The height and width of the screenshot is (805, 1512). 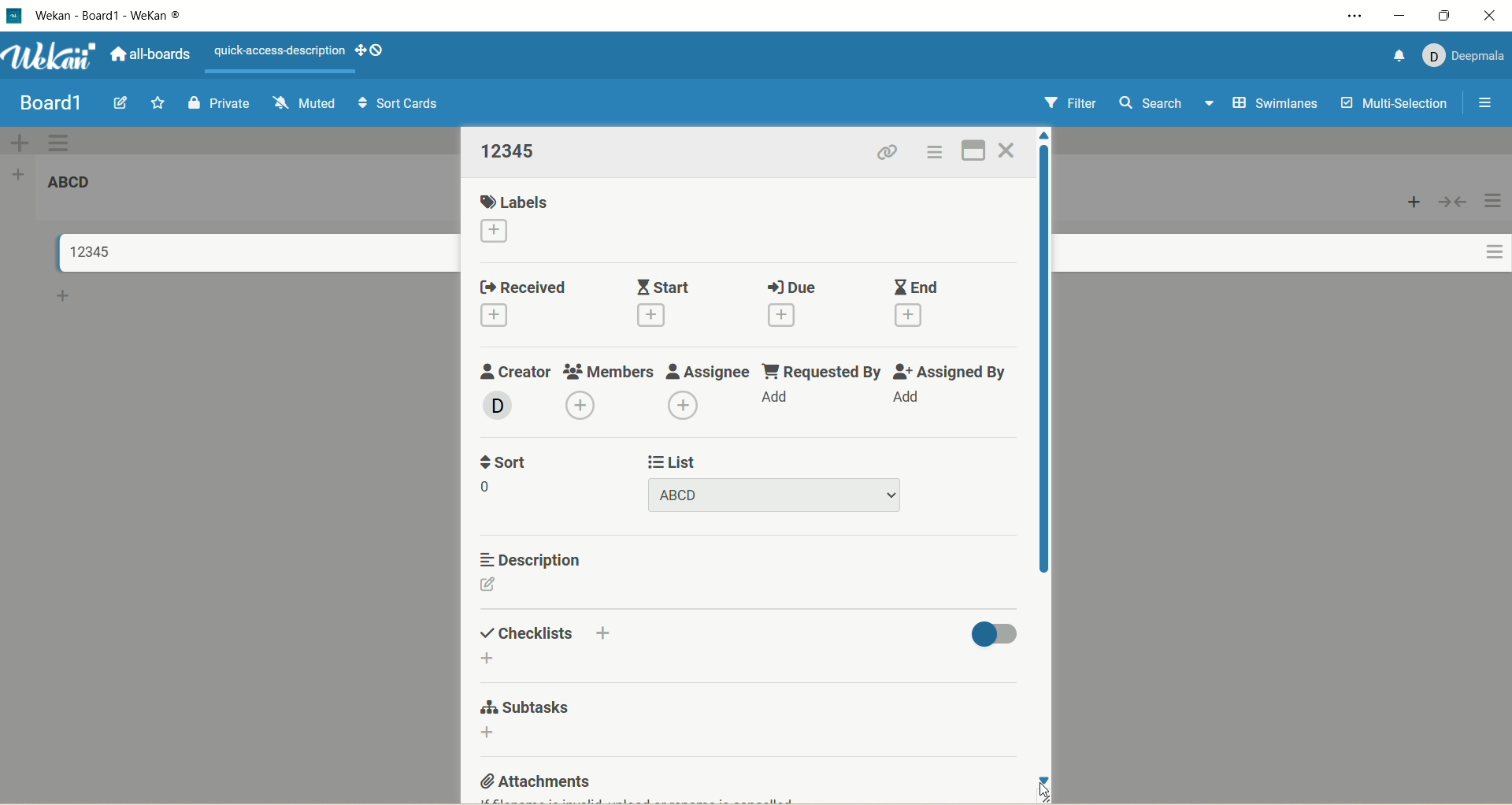 I want to click on add list, so click(x=23, y=173).